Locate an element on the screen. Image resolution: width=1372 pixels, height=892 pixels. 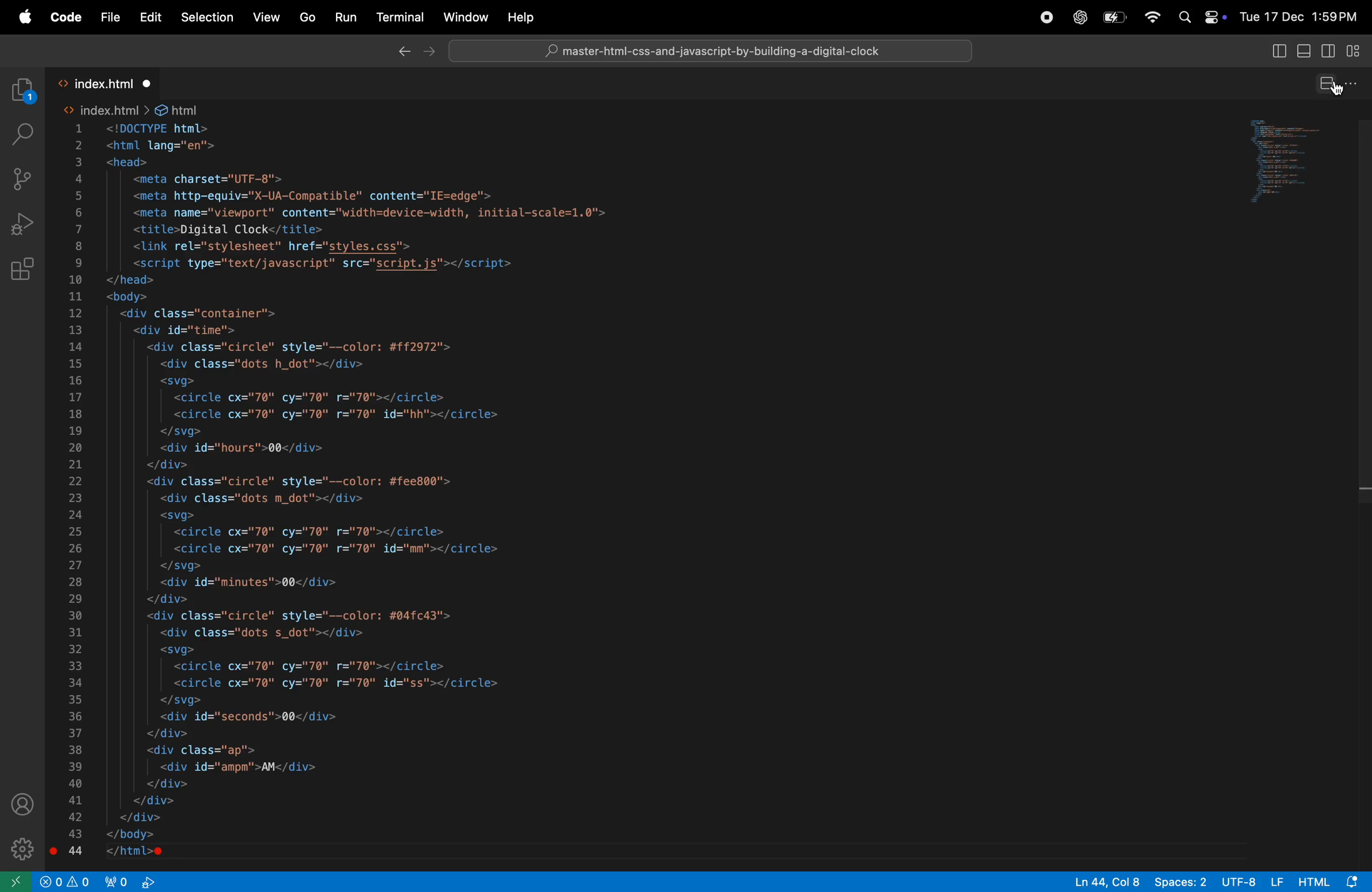
utf 8 lf is located at coordinates (1254, 880).